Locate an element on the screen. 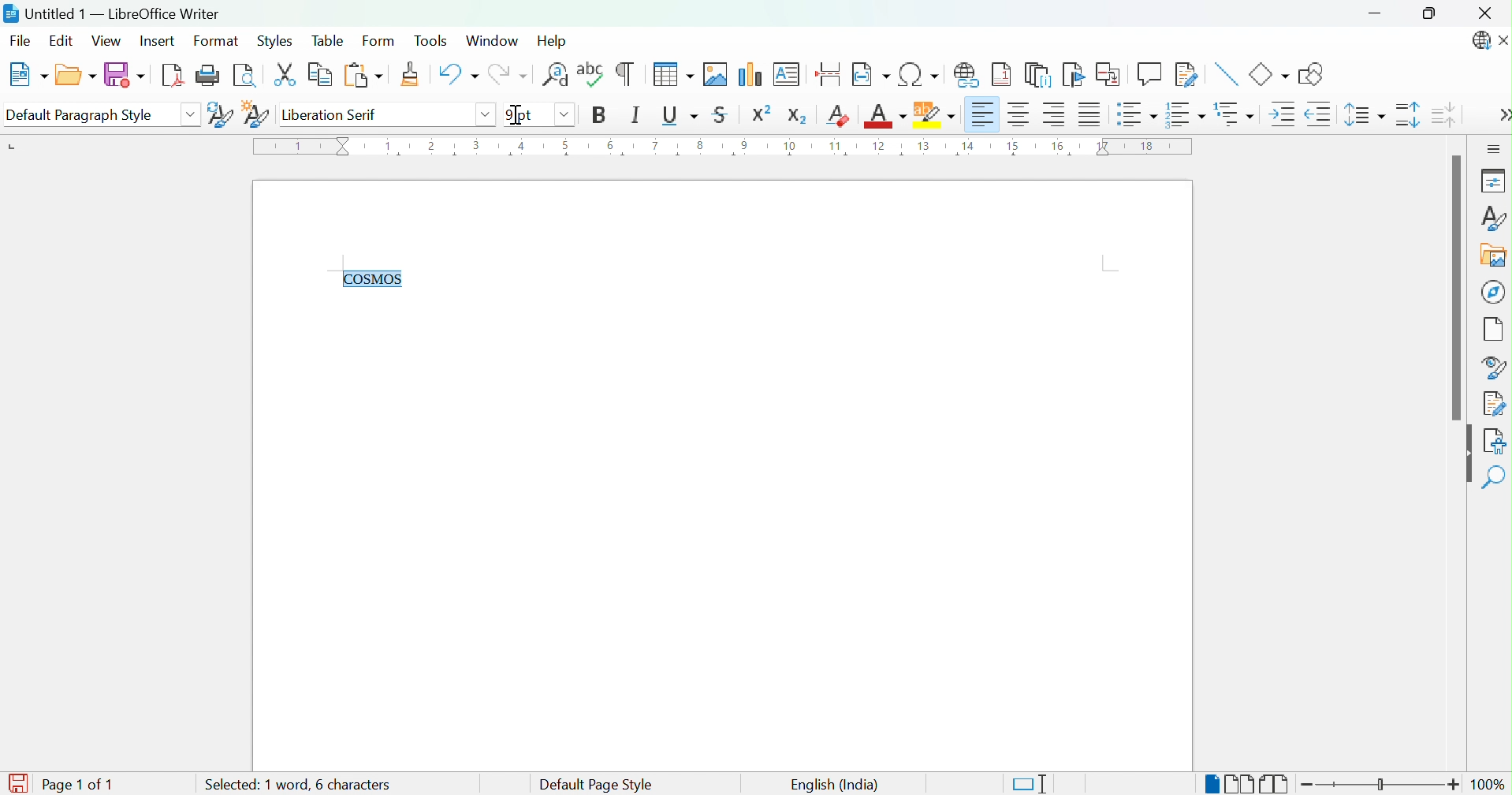 This screenshot has height=795, width=1512. Clone Formatting is located at coordinates (413, 75).